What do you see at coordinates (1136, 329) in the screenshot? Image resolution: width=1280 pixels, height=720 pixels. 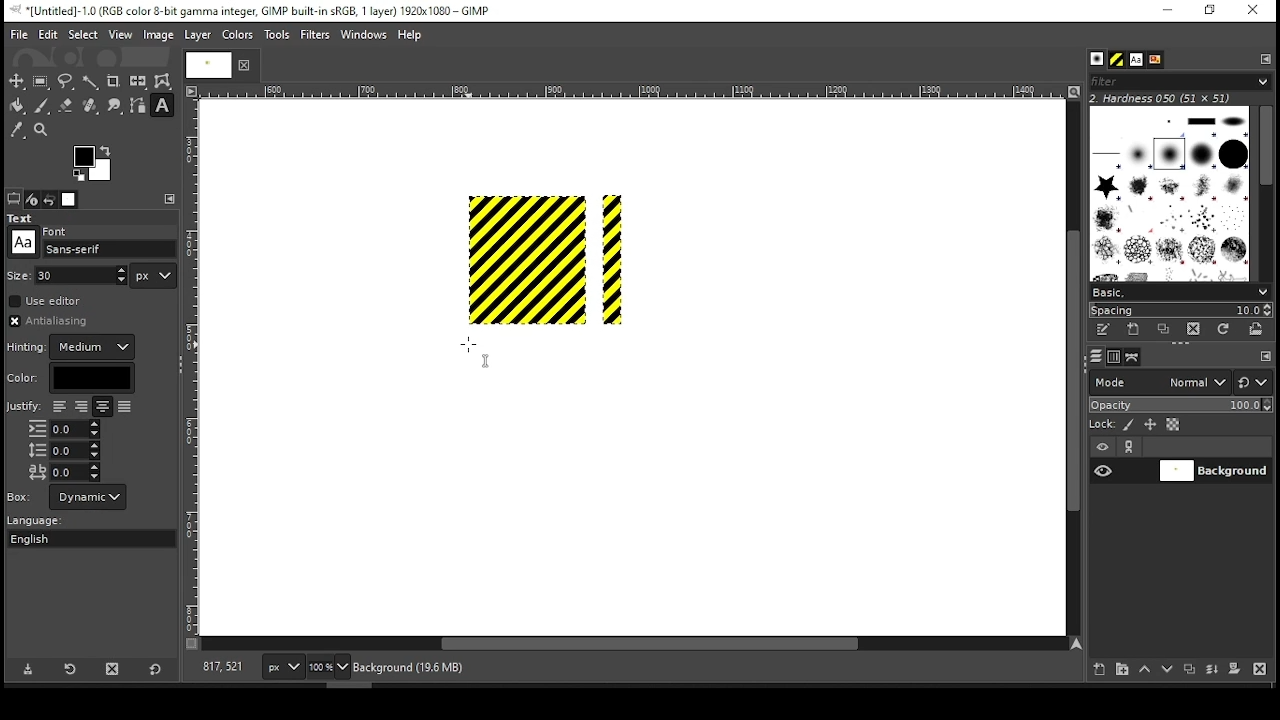 I see `create a new brush` at bounding box center [1136, 329].